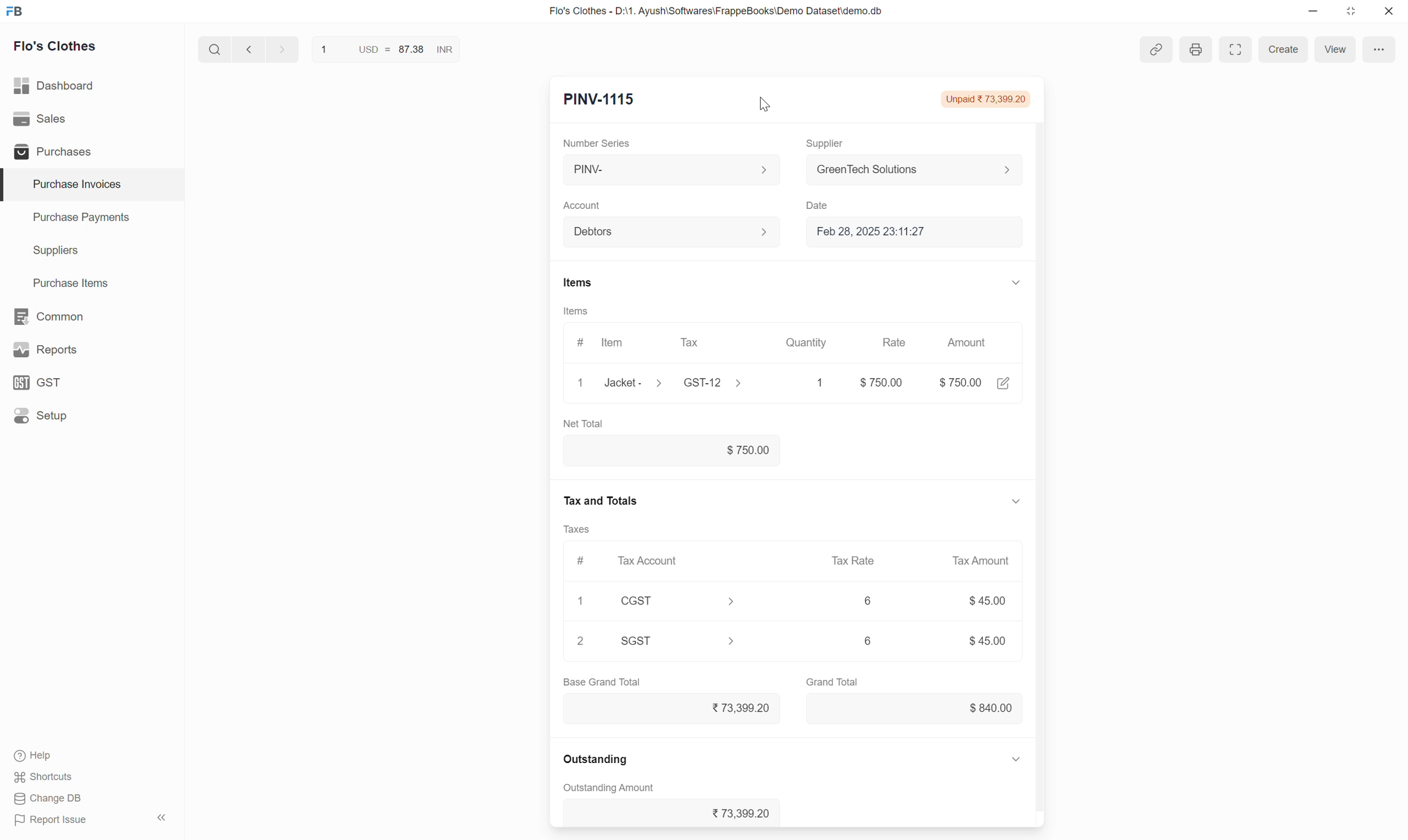  Describe the element at coordinates (51, 820) in the screenshot. I see `Report Issue` at that location.